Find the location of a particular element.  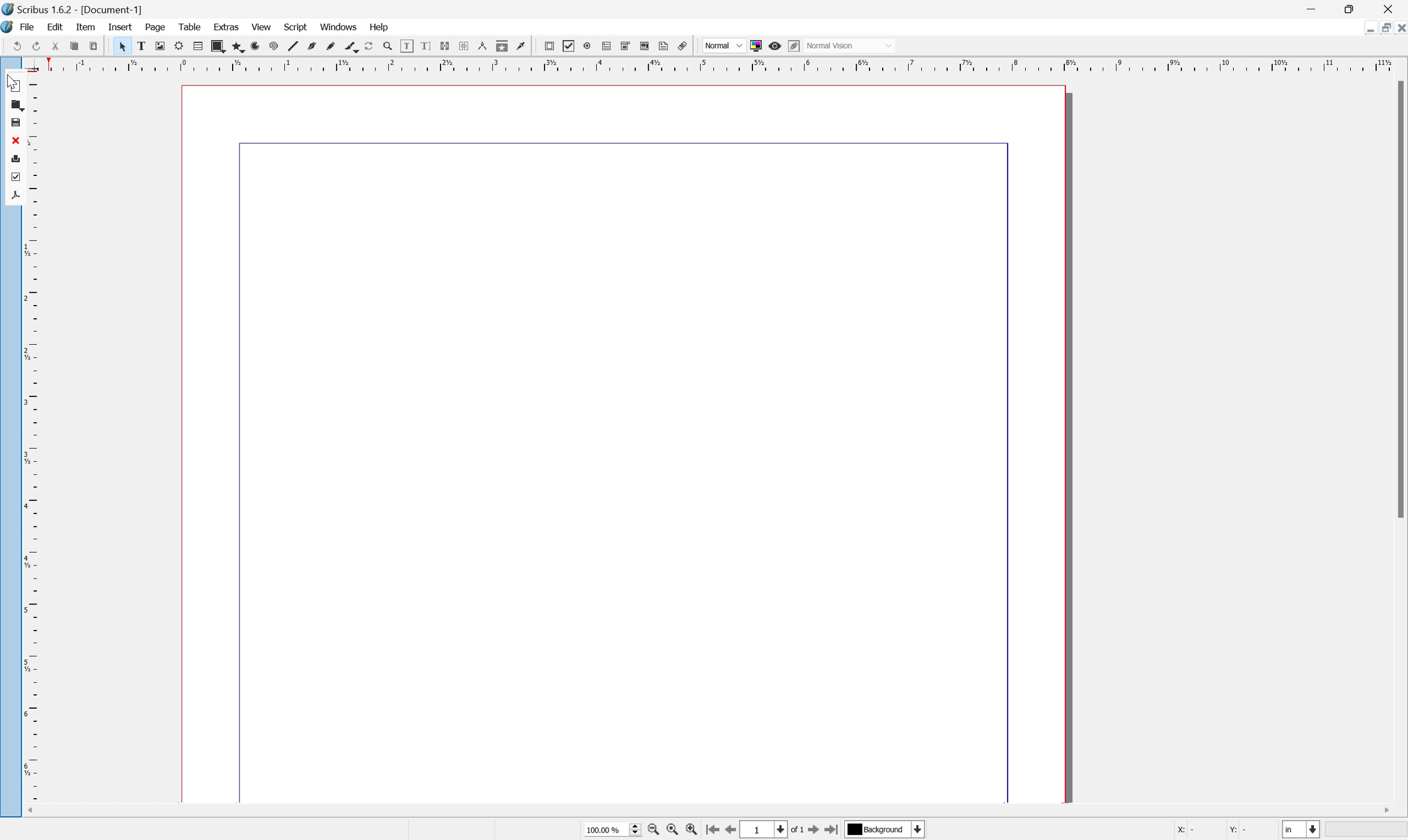

rotate item is located at coordinates (502, 46).